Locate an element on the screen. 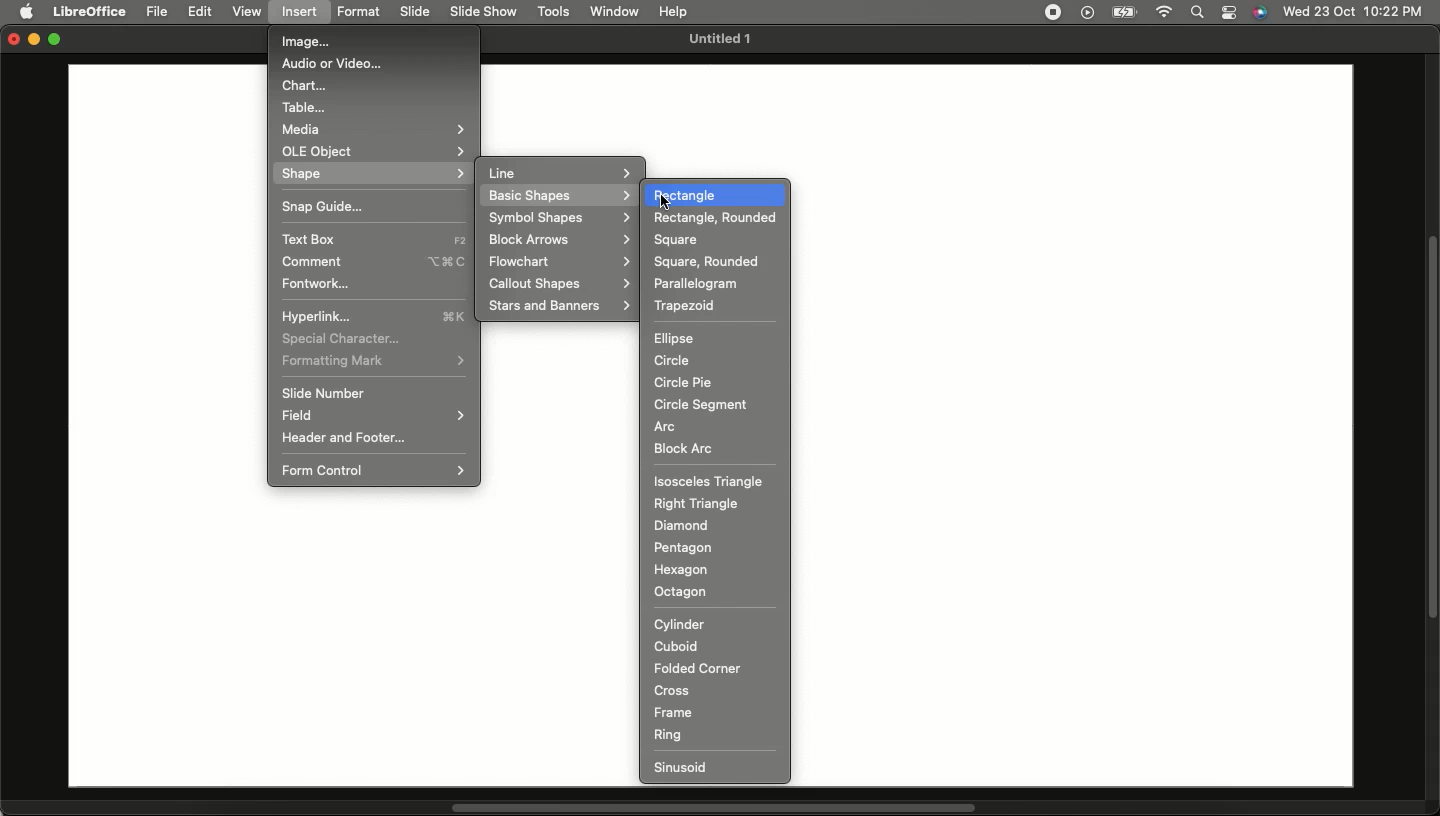  Isosceles triangle is located at coordinates (710, 481).